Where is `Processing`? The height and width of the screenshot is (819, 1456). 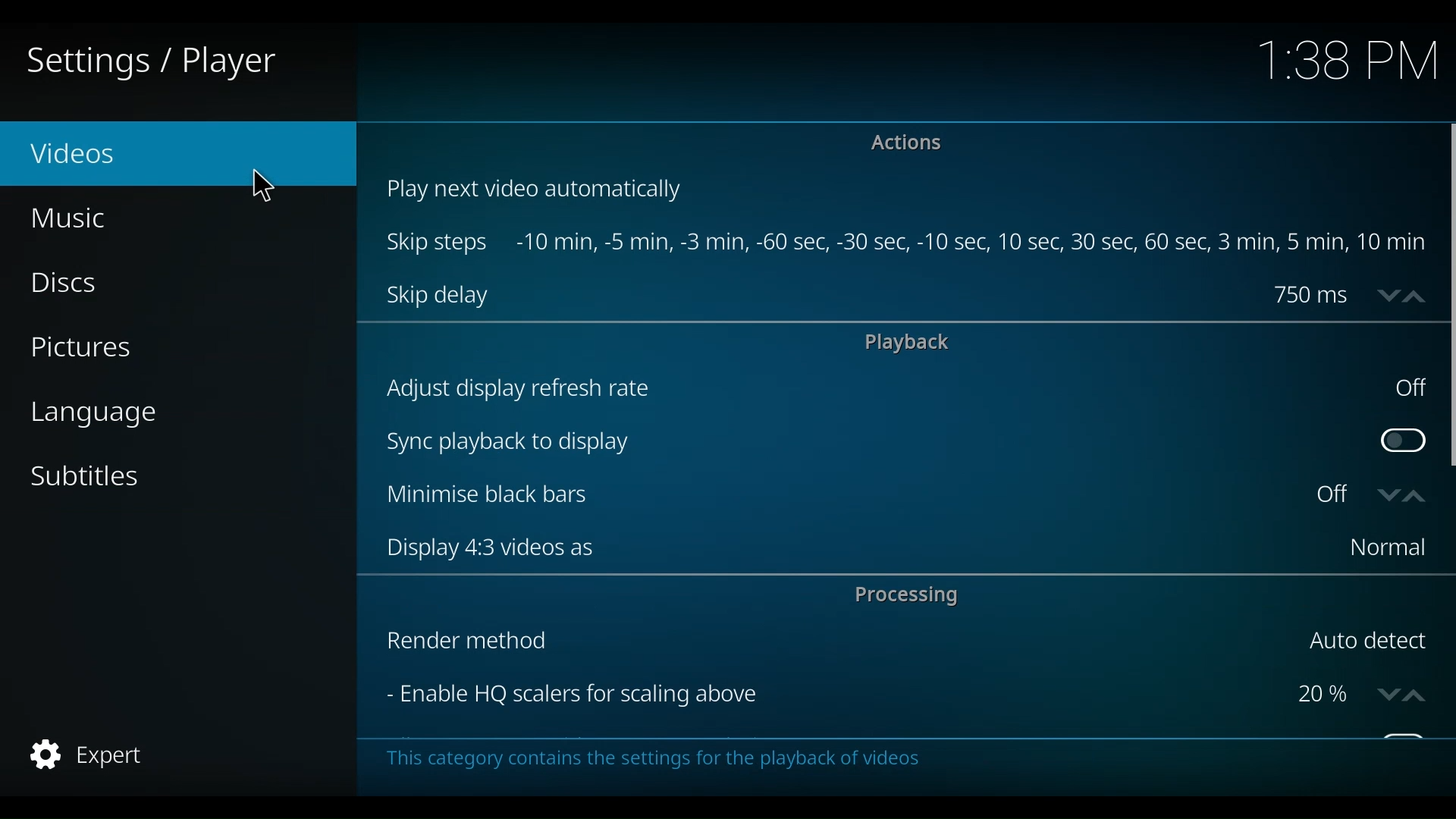 Processing is located at coordinates (914, 598).